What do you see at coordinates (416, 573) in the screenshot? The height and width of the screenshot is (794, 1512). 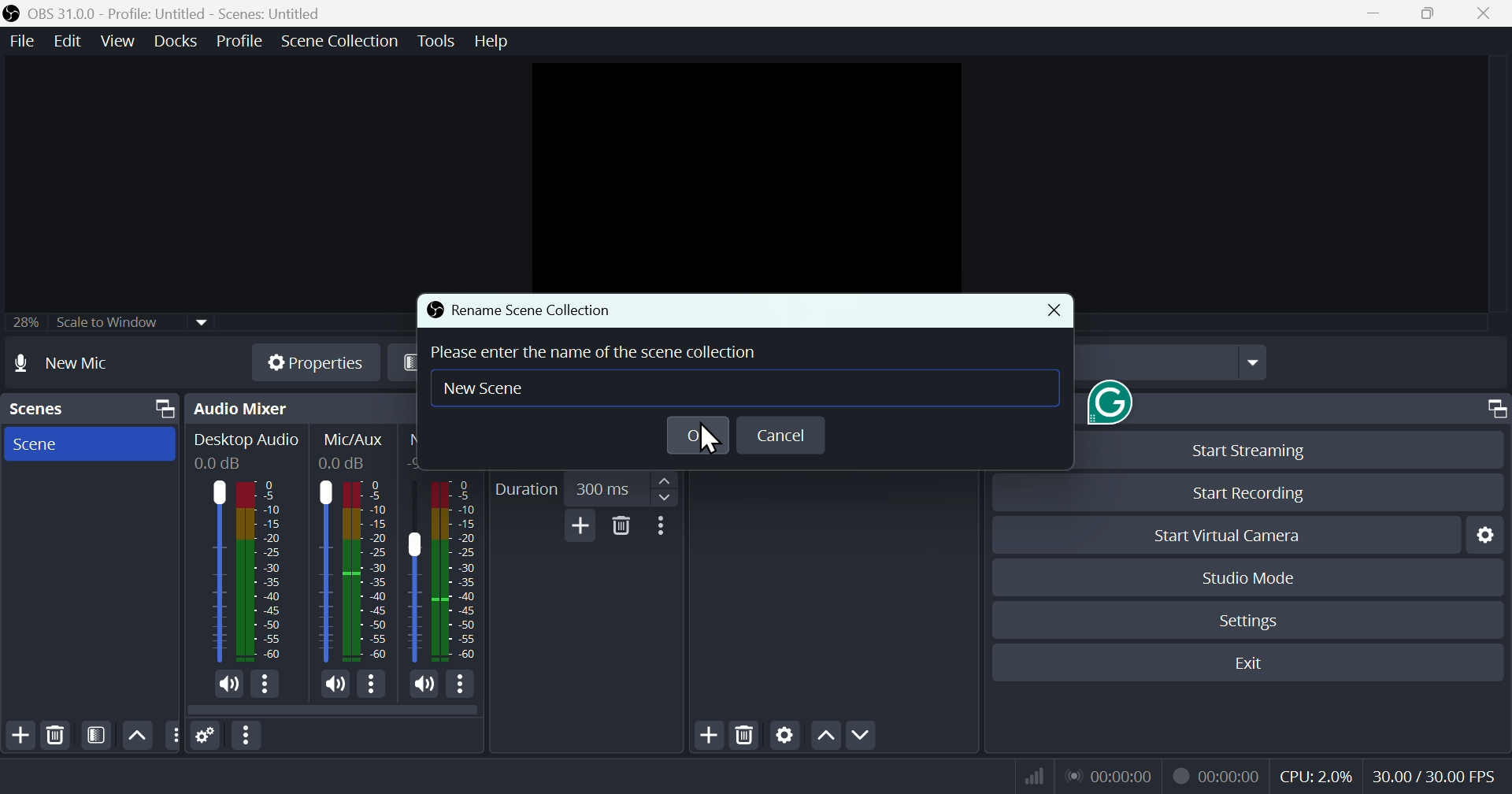 I see `New Mic` at bounding box center [416, 573].